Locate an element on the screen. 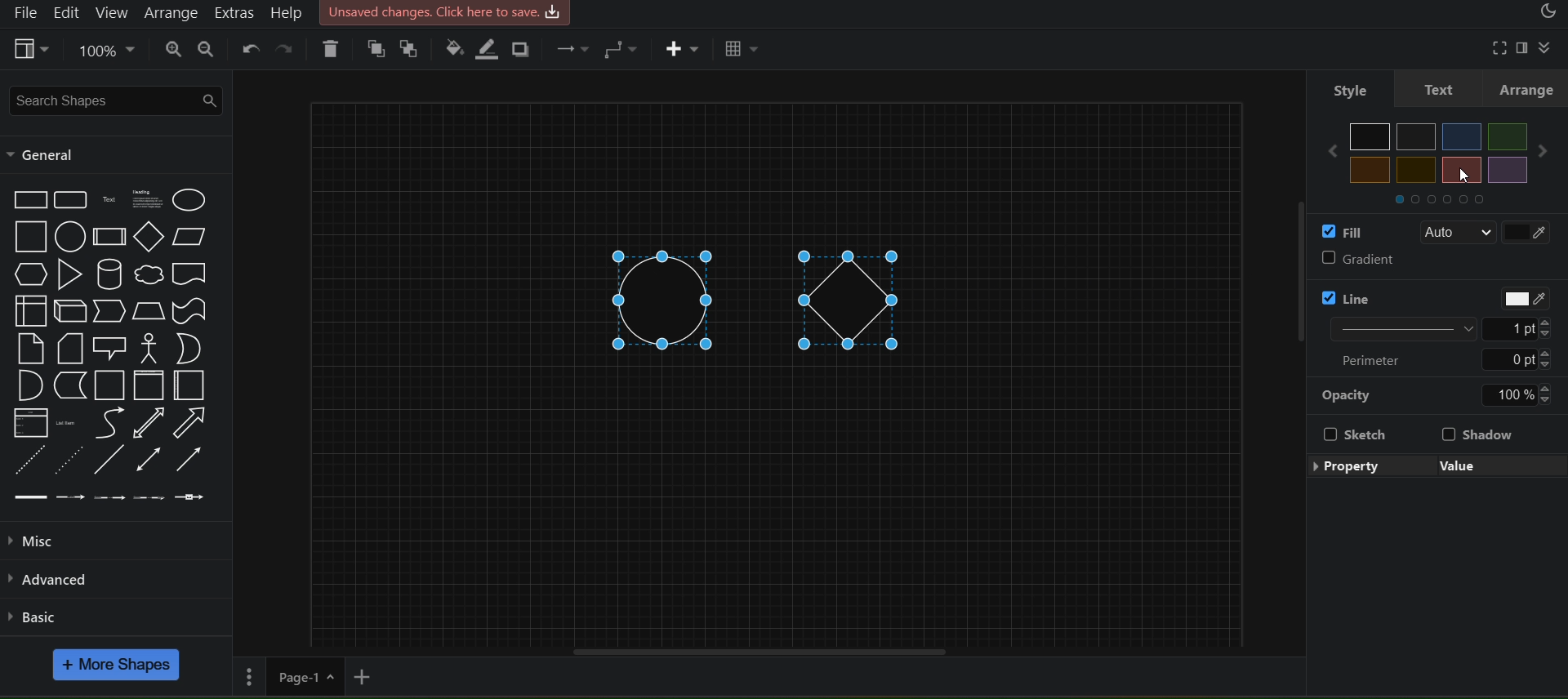 The image size is (1568, 699). circle is located at coordinates (677, 292).